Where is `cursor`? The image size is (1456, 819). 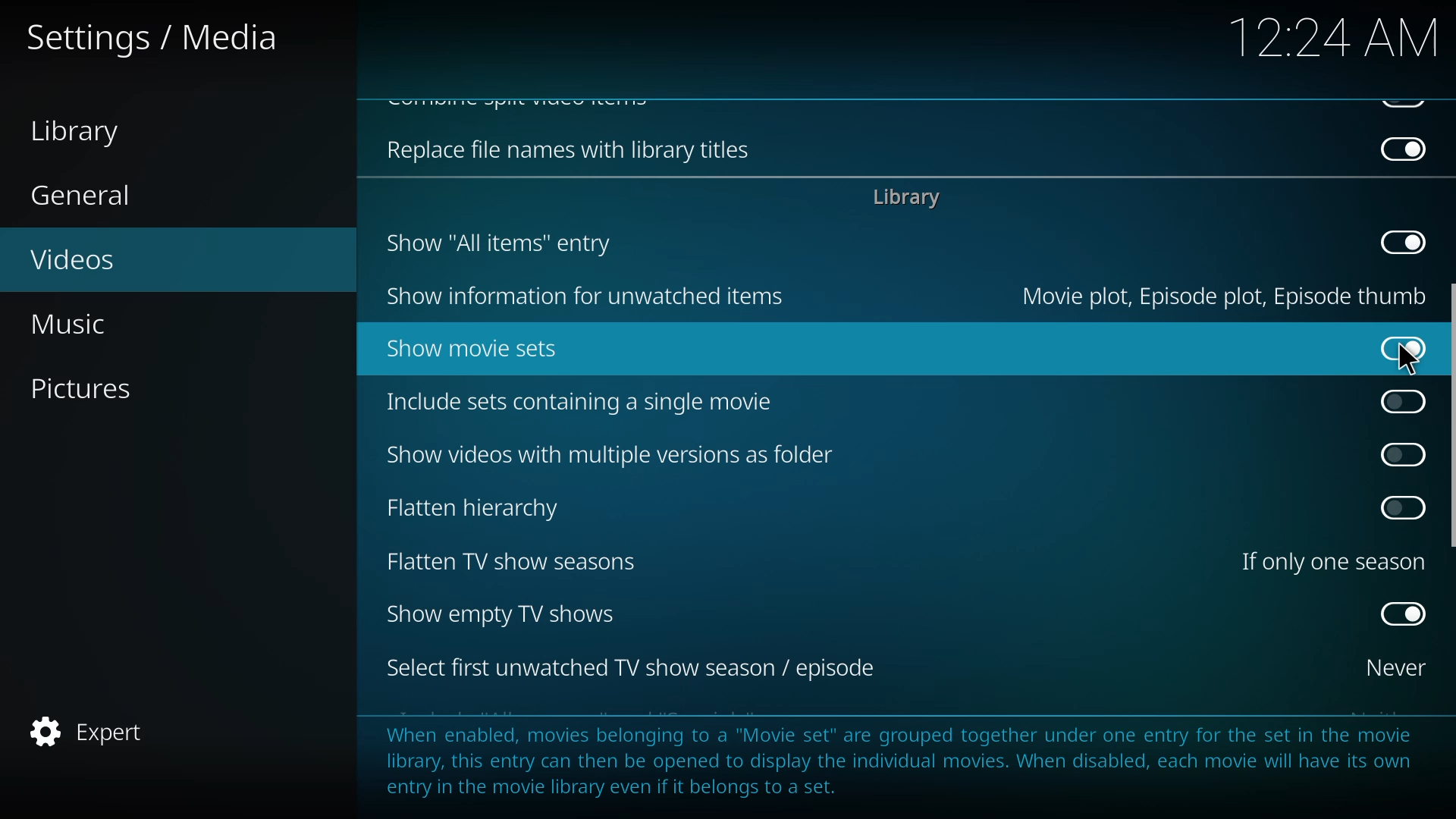 cursor is located at coordinates (1408, 359).